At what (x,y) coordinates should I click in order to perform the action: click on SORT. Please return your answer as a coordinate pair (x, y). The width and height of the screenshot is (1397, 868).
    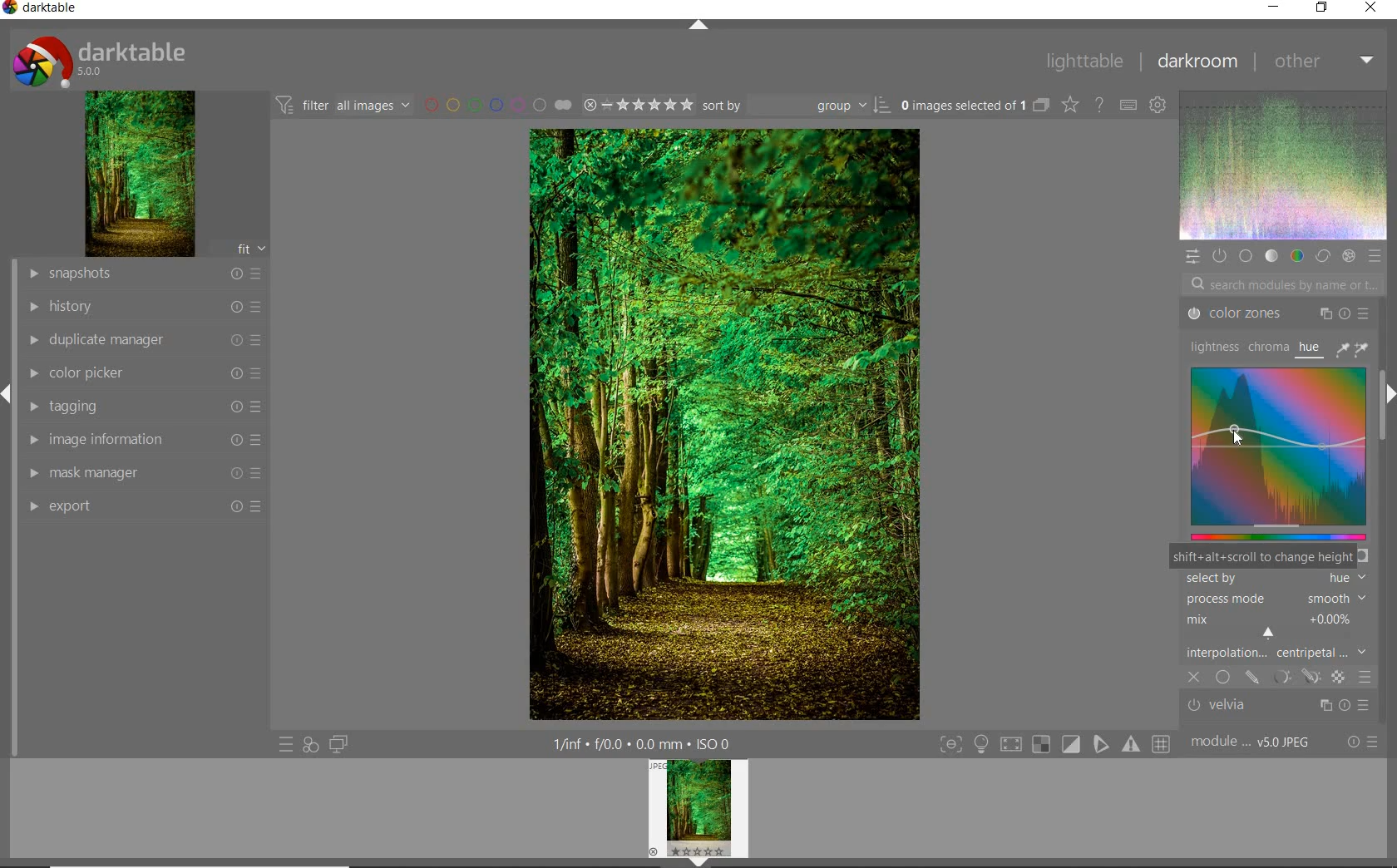
    Looking at the image, I should click on (795, 105).